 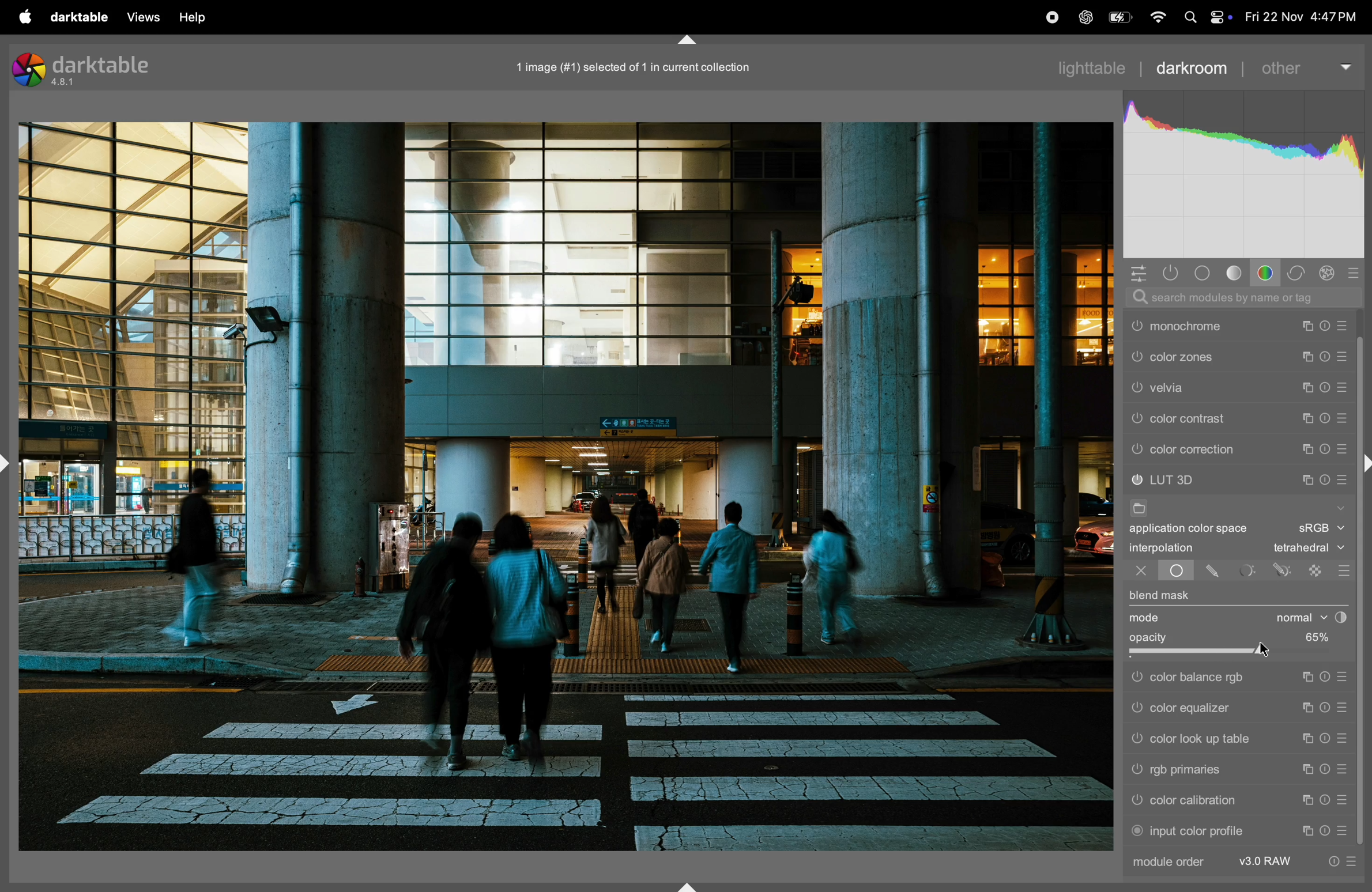 What do you see at coordinates (9, 462) in the screenshot?
I see `shift+ctrl+l` at bounding box center [9, 462].